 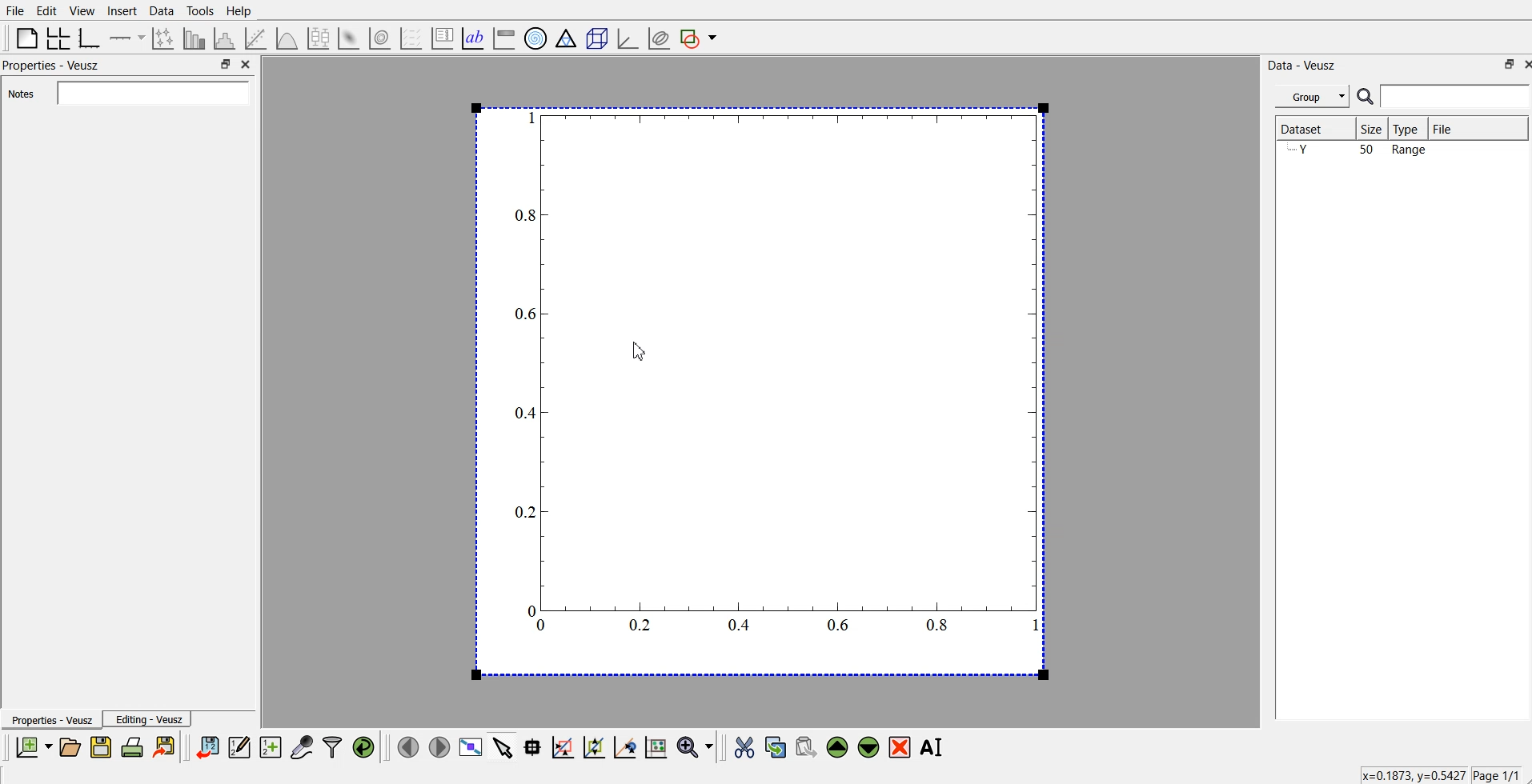 What do you see at coordinates (72, 748) in the screenshot?
I see `open document` at bounding box center [72, 748].